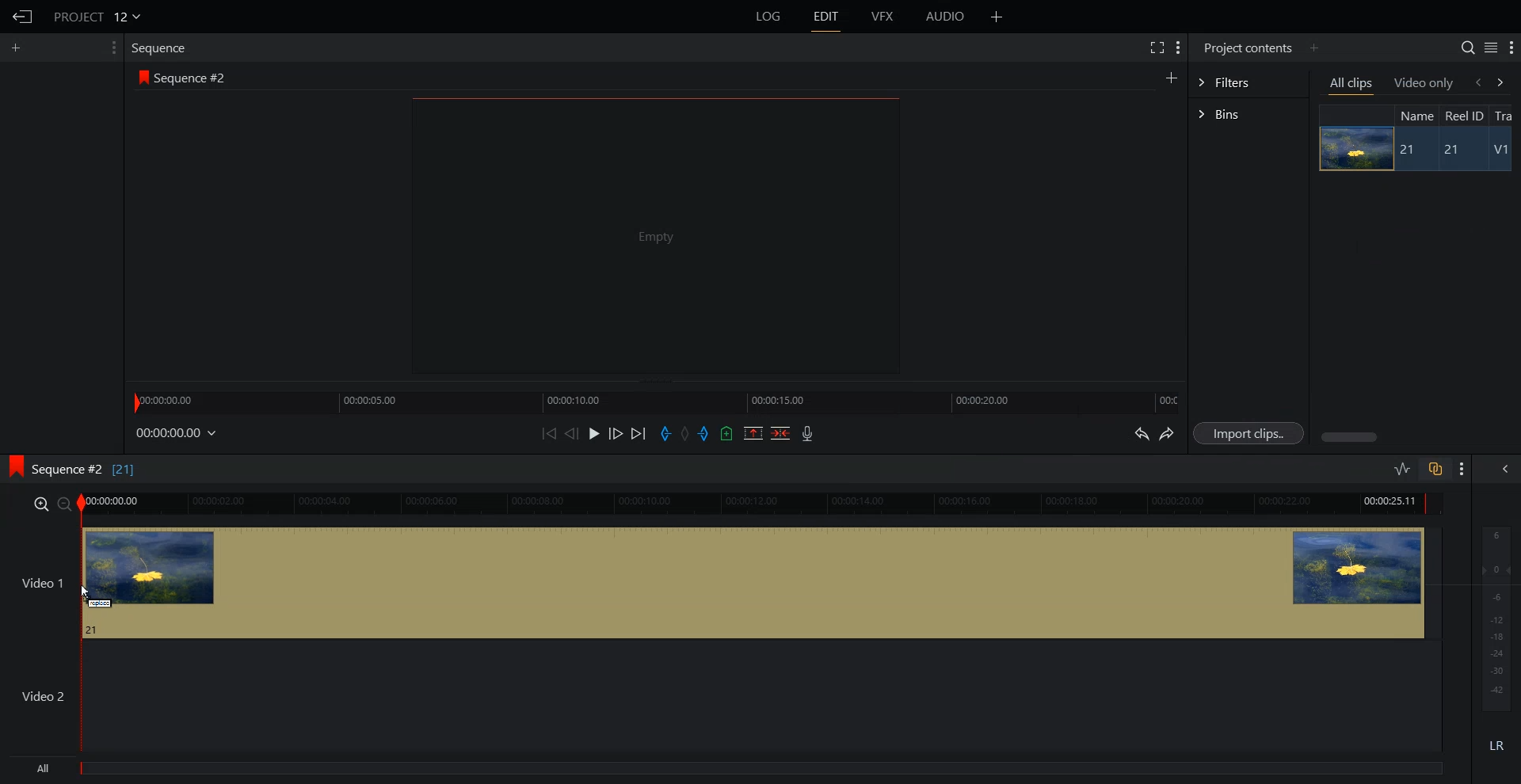  What do you see at coordinates (1468, 48) in the screenshot?
I see `Search` at bounding box center [1468, 48].